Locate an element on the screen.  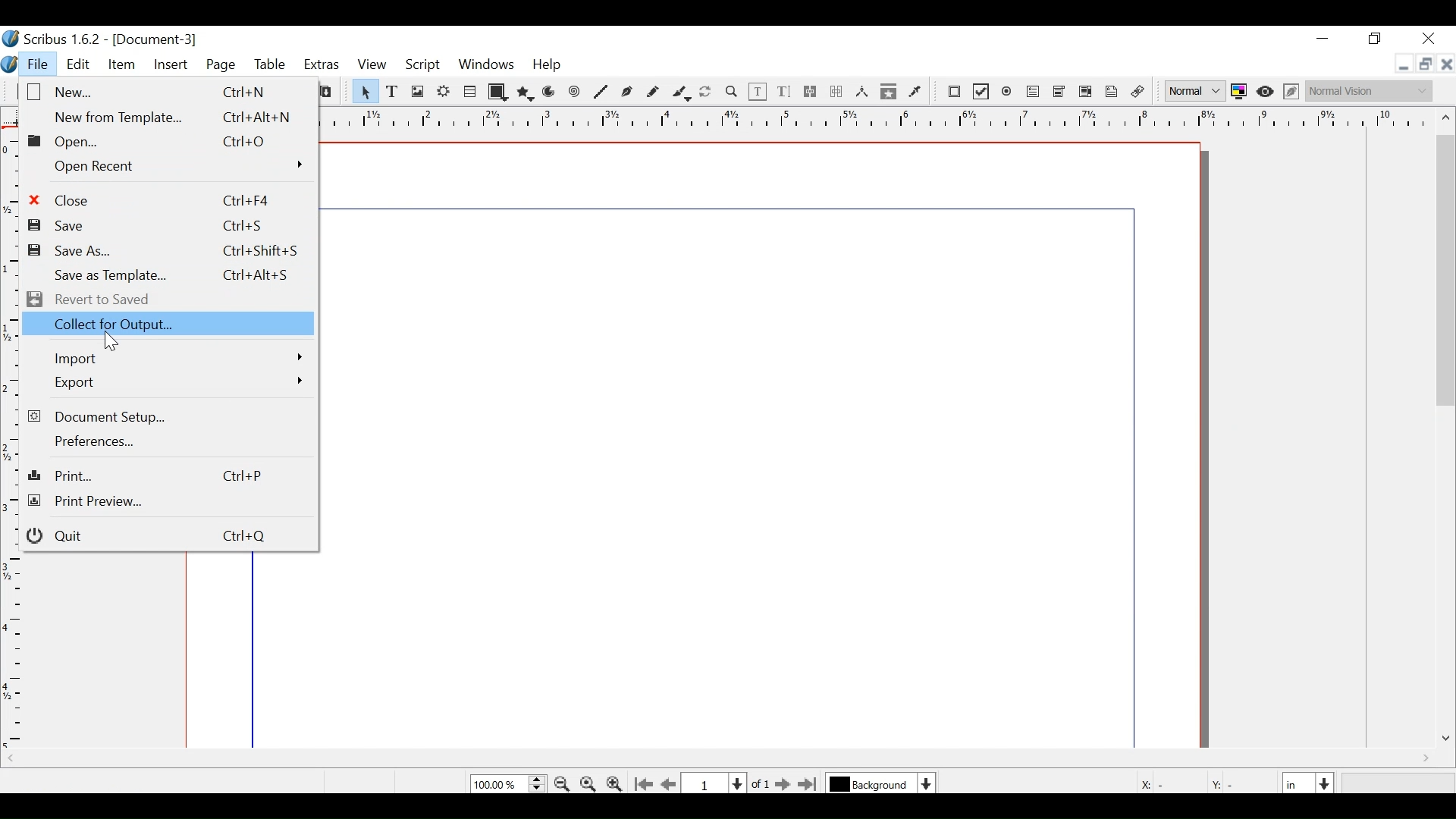
Zoom is located at coordinates (508, 784).